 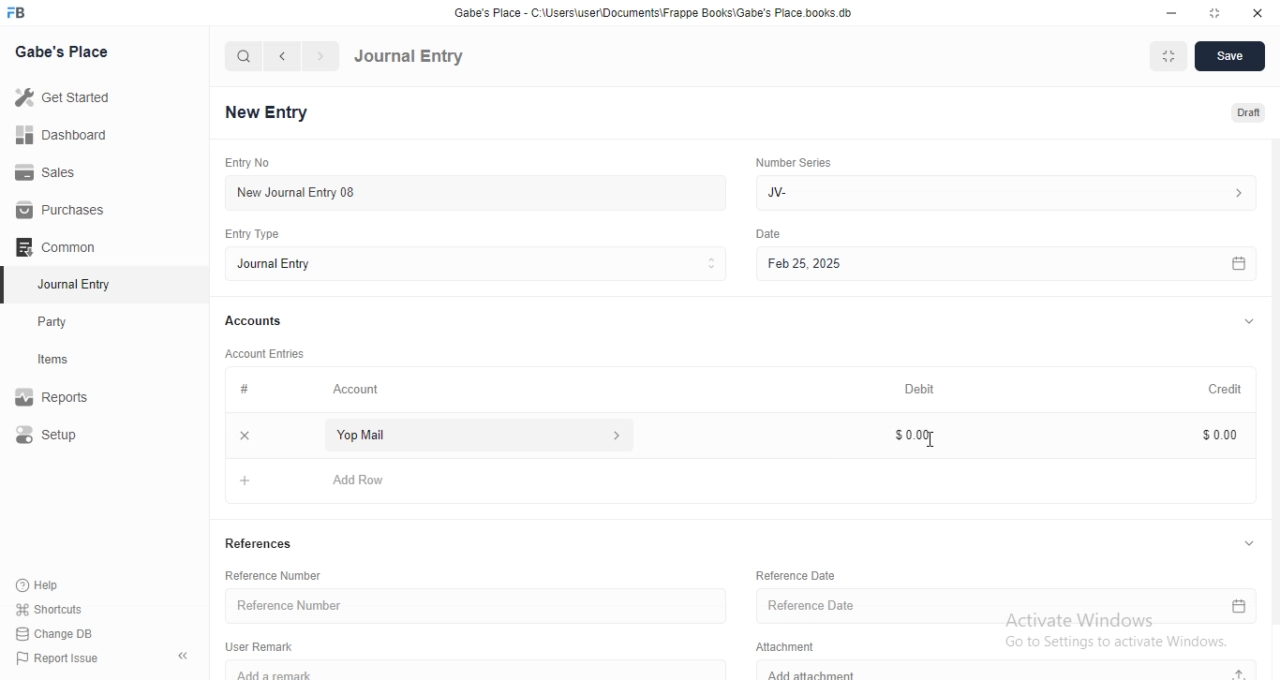 What do you see at coordinates (277, 574) in the screenshot?
I see `Reference Number` at bounding box center [277, 574].